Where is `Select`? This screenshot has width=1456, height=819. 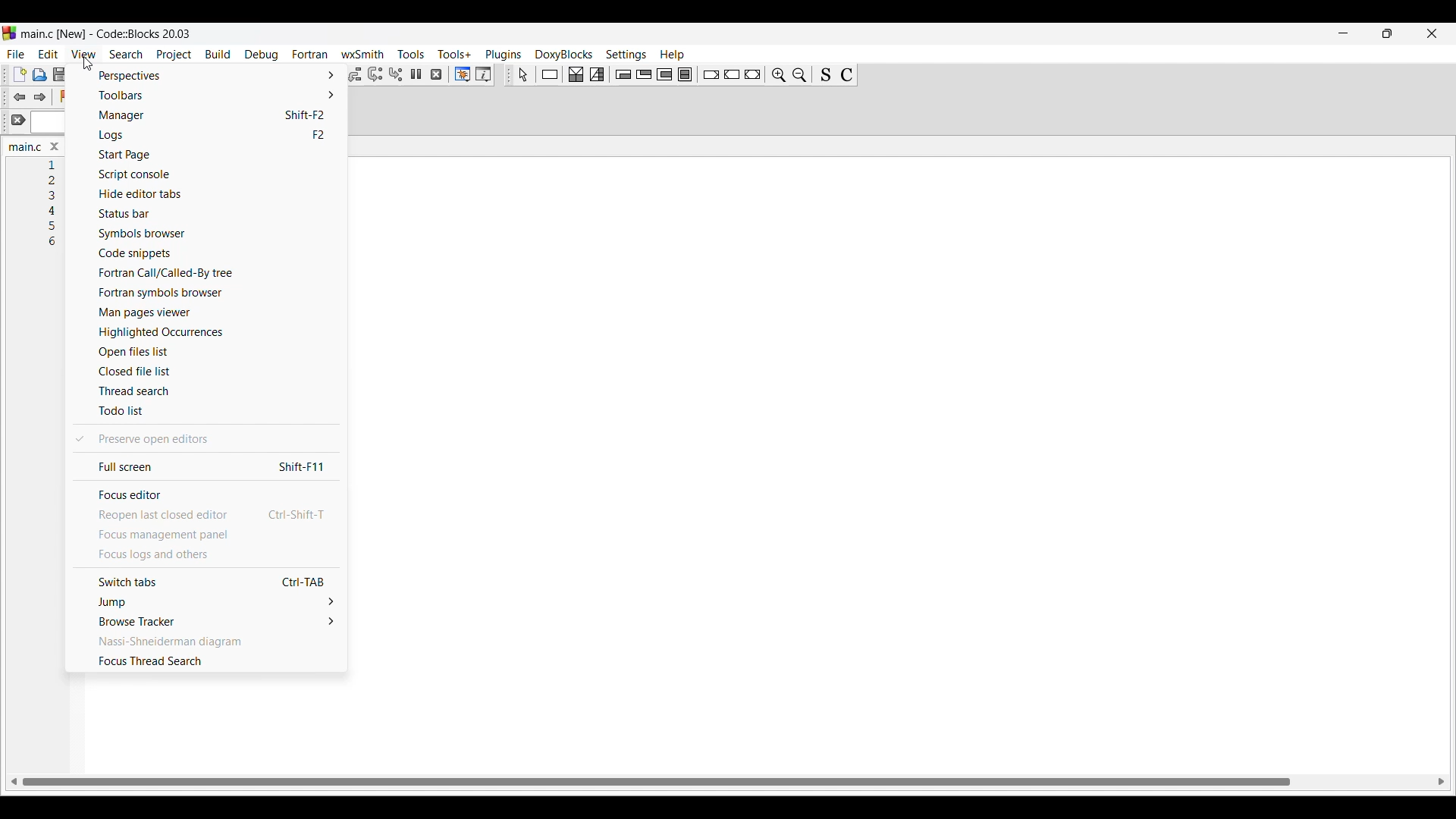 Select is located at coordinates (522, 75).